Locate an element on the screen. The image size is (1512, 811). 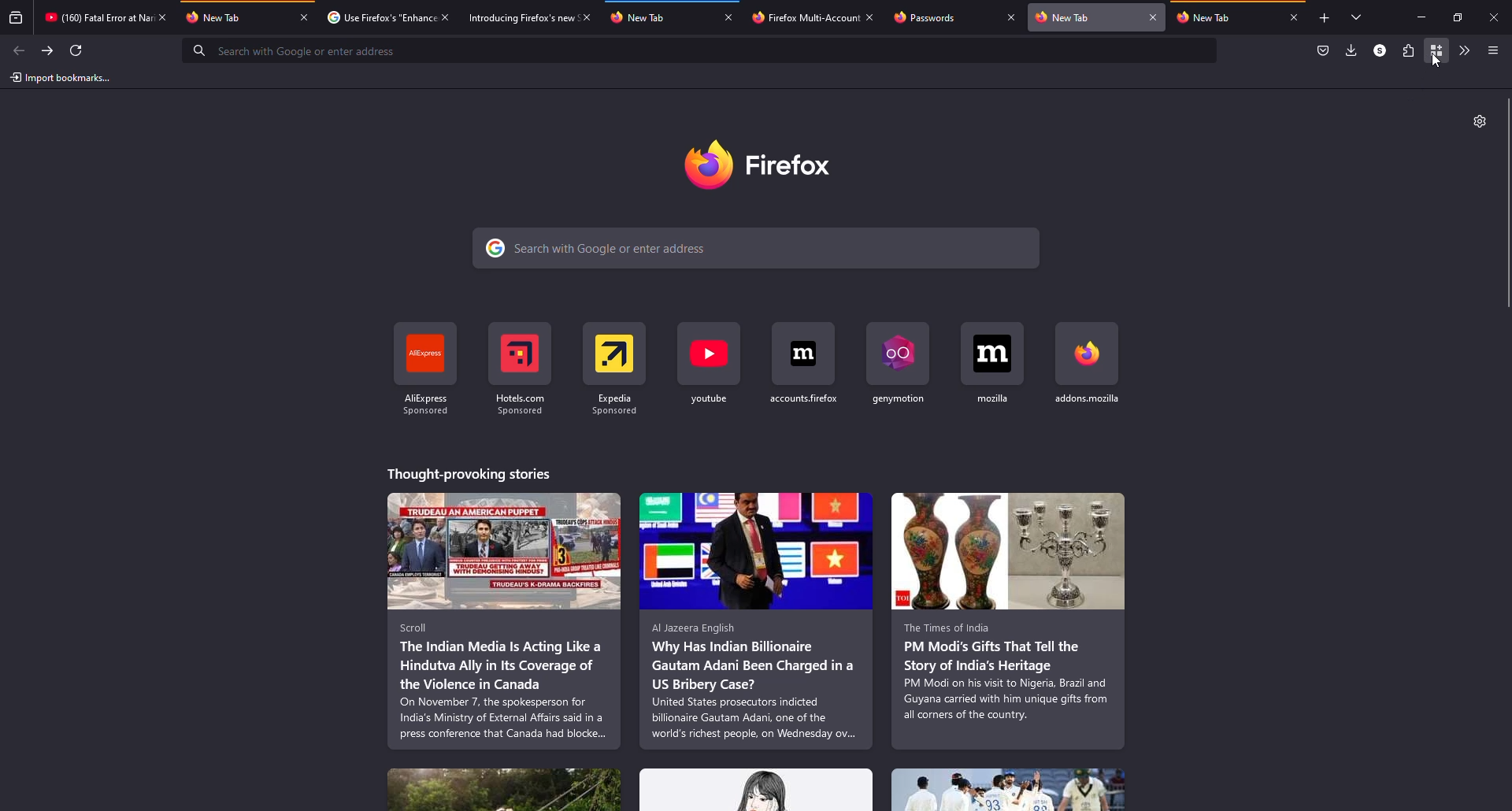
close is located at coordinates (585, 16).